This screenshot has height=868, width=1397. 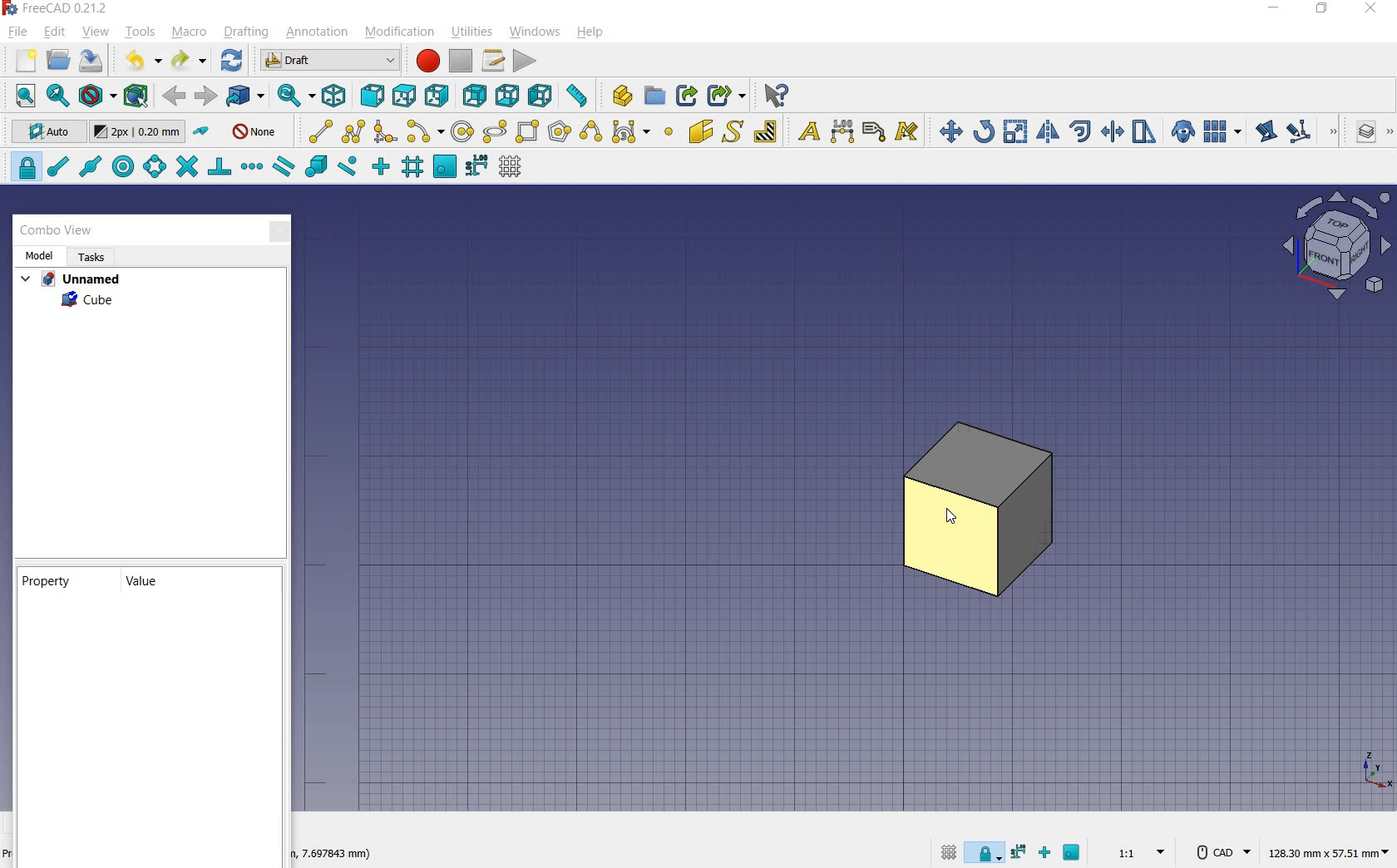 I want to click on bottom, so click(x=507, y=94).